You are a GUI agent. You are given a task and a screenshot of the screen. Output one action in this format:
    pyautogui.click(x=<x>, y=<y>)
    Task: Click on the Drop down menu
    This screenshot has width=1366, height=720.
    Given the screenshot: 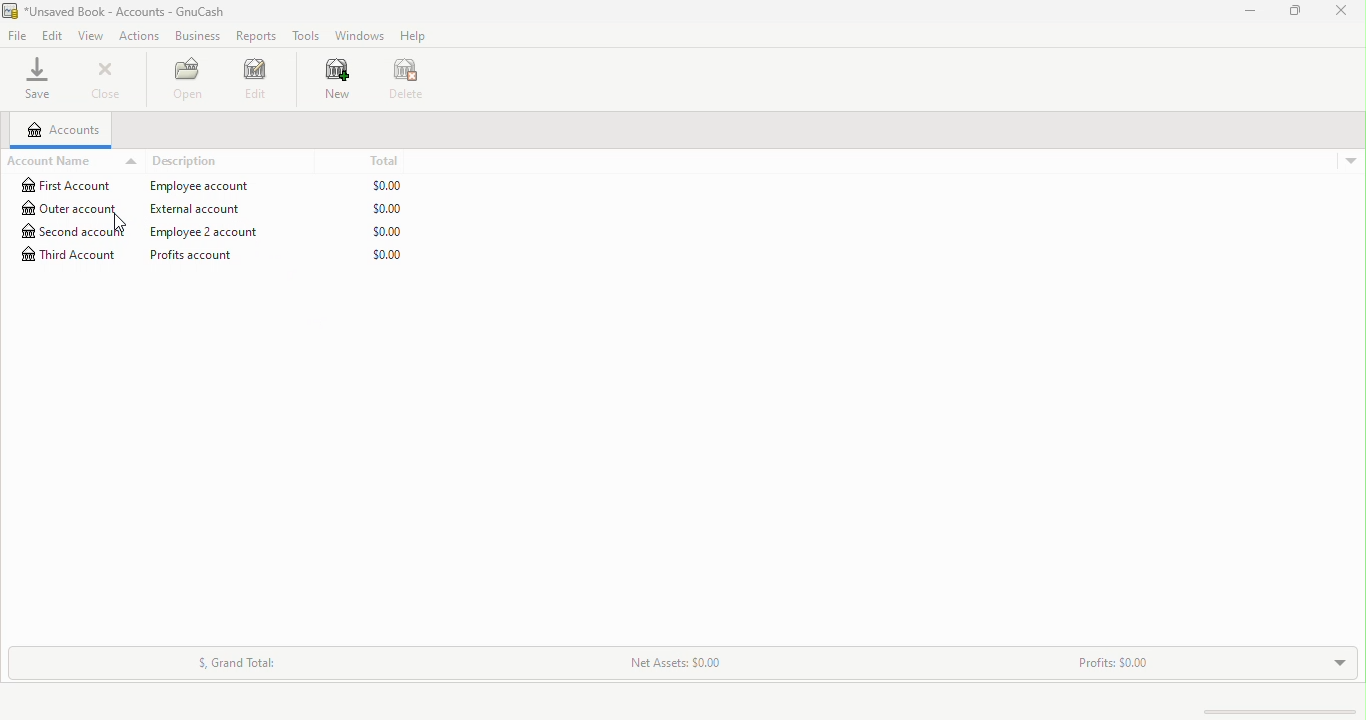 What is the action you would take?
    pyautogui.click(x=1333, y=661)
    